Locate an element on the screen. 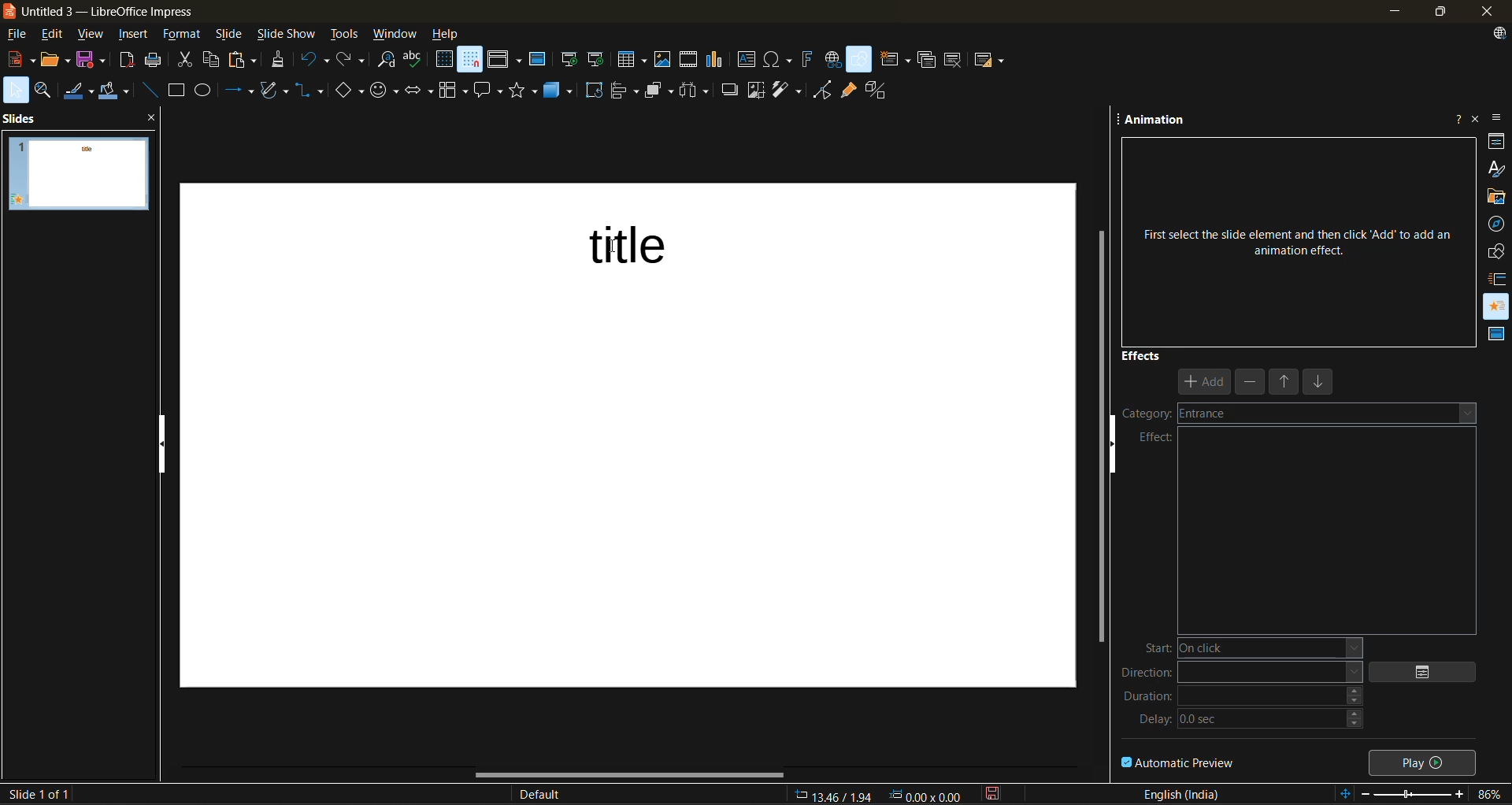 The height and width of the screenshot is (805, 1512). rotate is located at coordinates (595, 91).